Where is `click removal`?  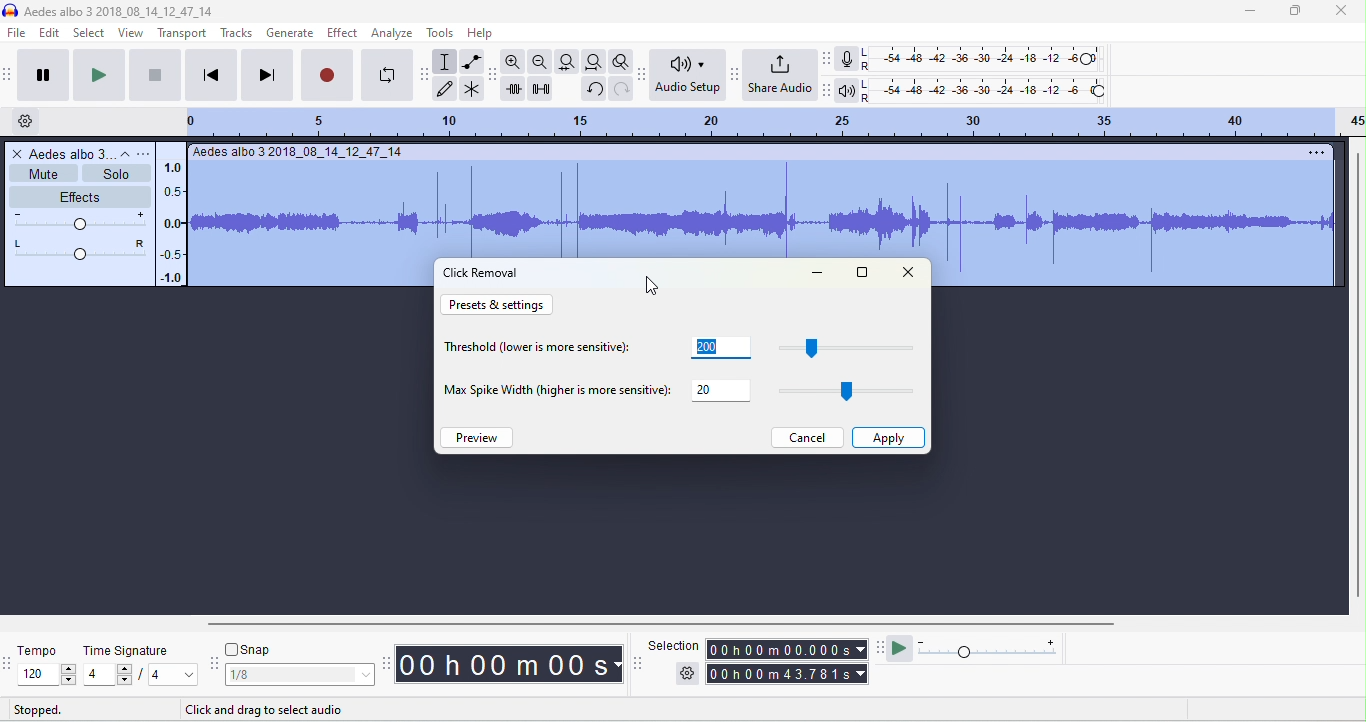
click removal is located at coordinates (484, 272).